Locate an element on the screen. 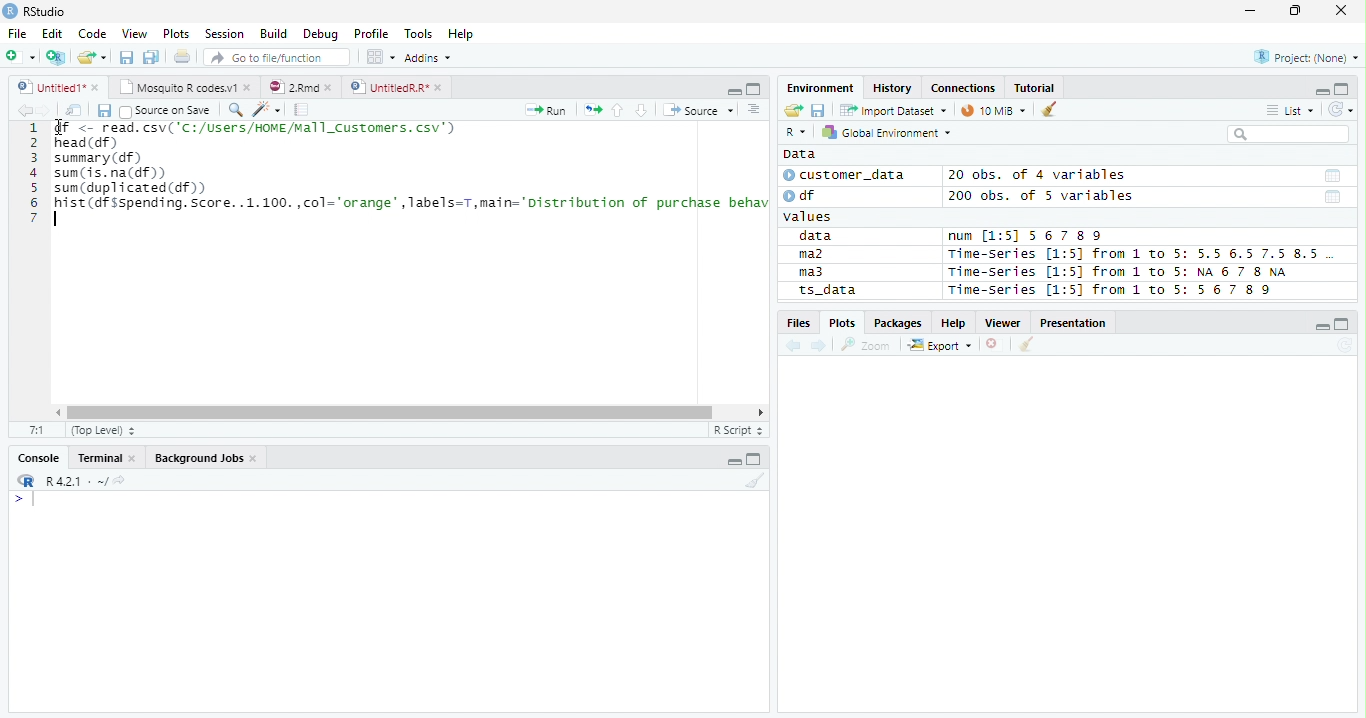  Top Level is located at coordinates (101, 431).